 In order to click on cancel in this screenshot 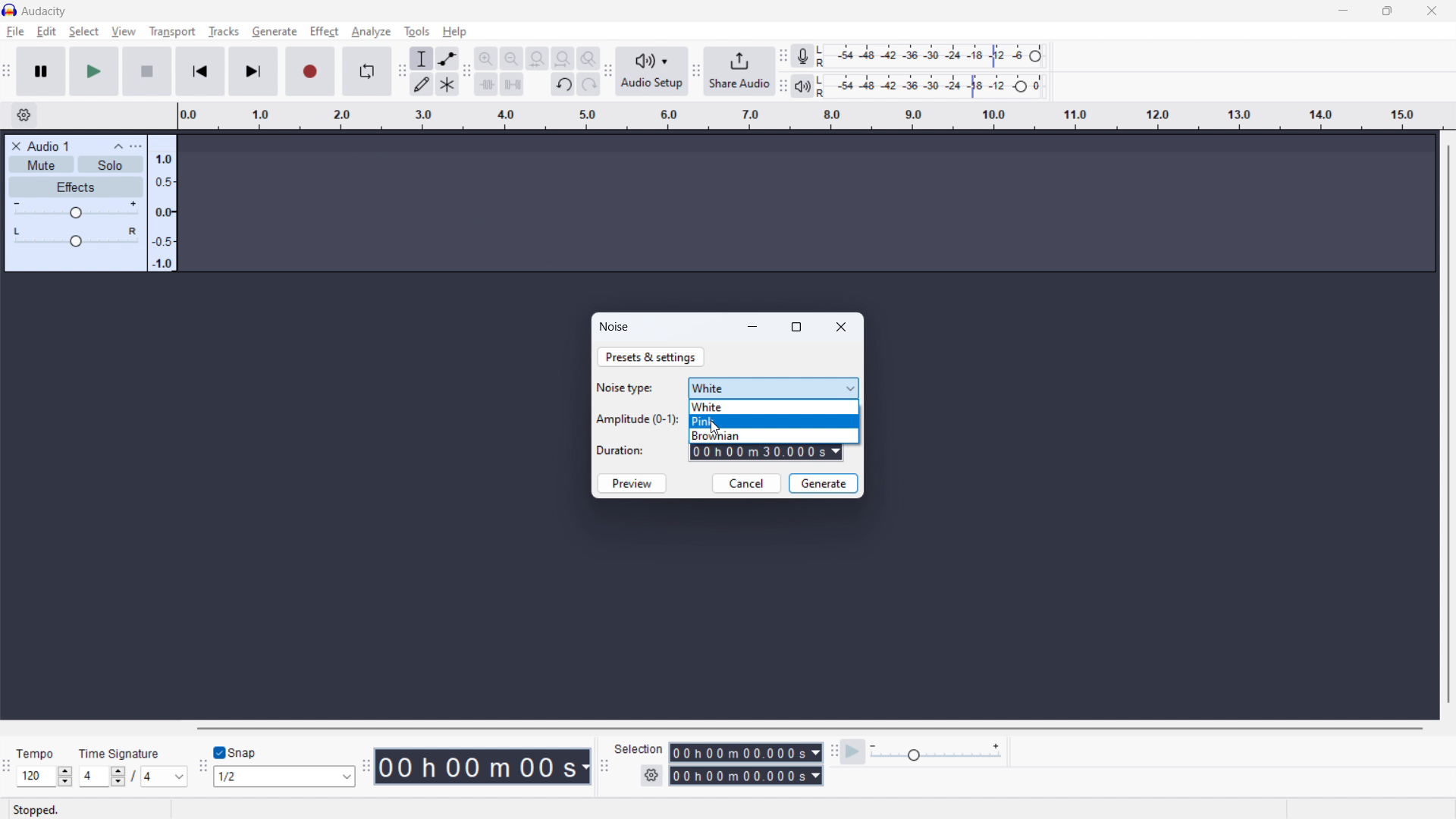, I will do `click(746, 483)`.